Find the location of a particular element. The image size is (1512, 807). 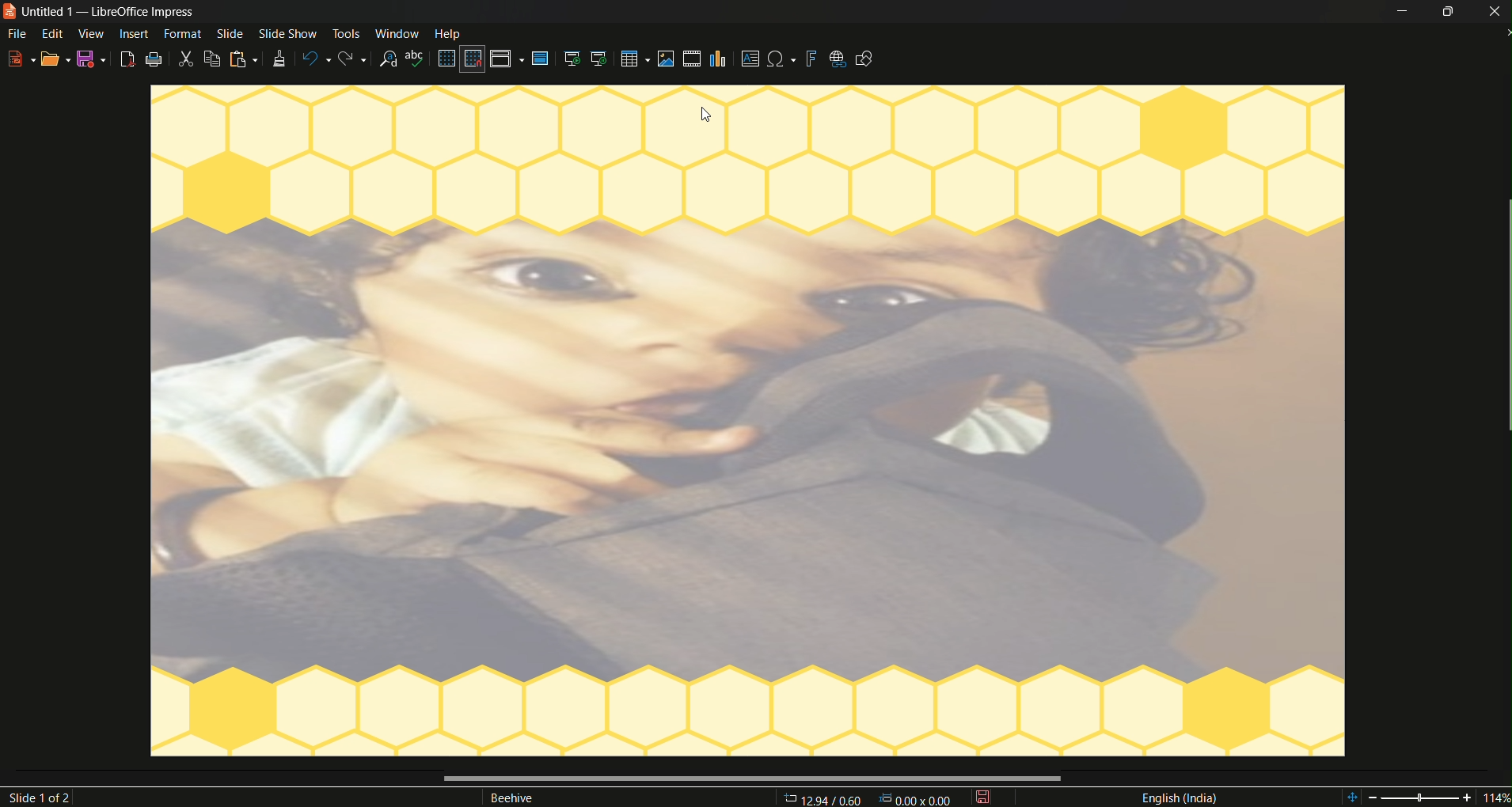

save is located at coordinates (984, 798).